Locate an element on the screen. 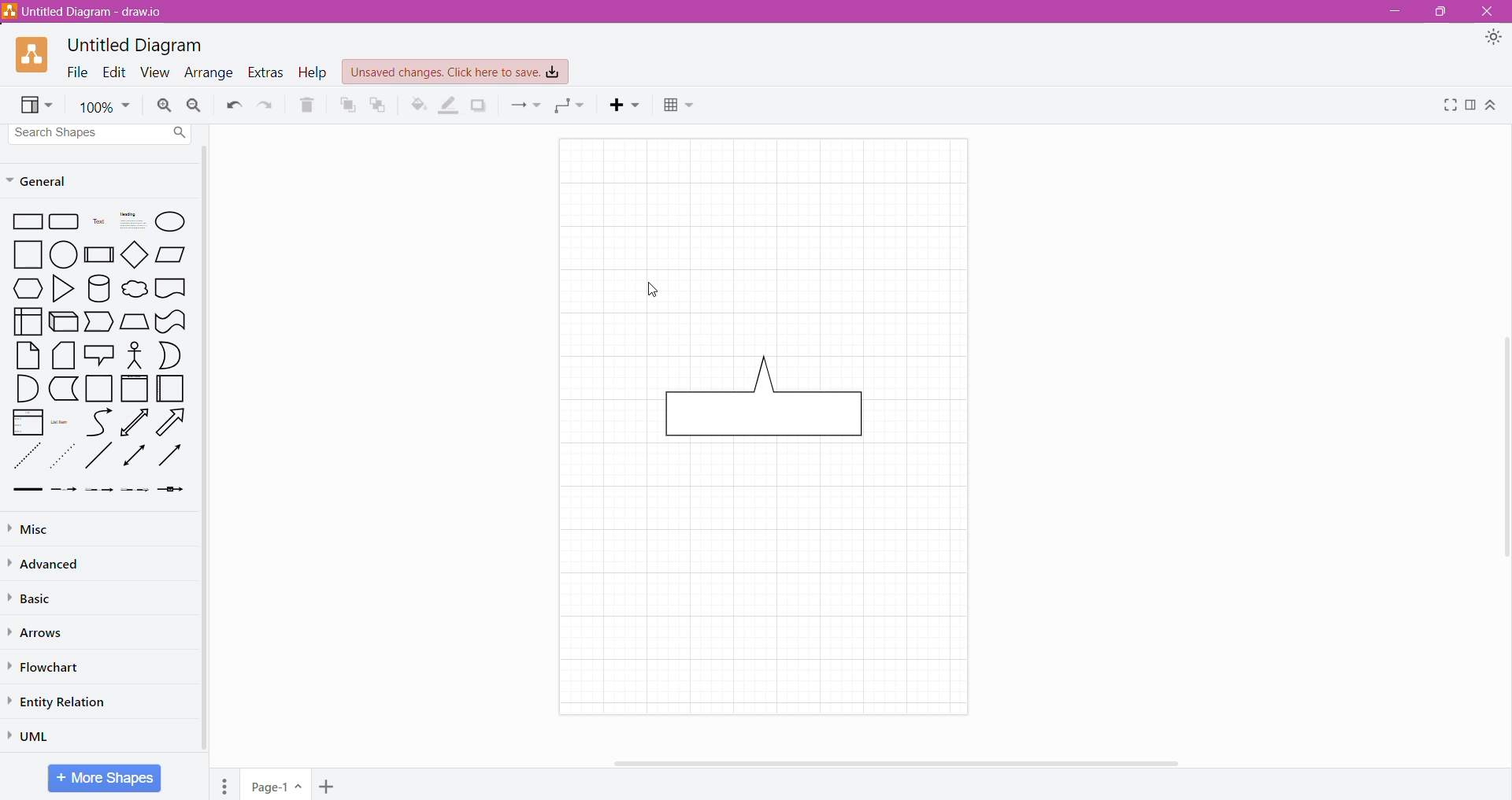  Quarter Circle  is located at coordinates (26, 388).